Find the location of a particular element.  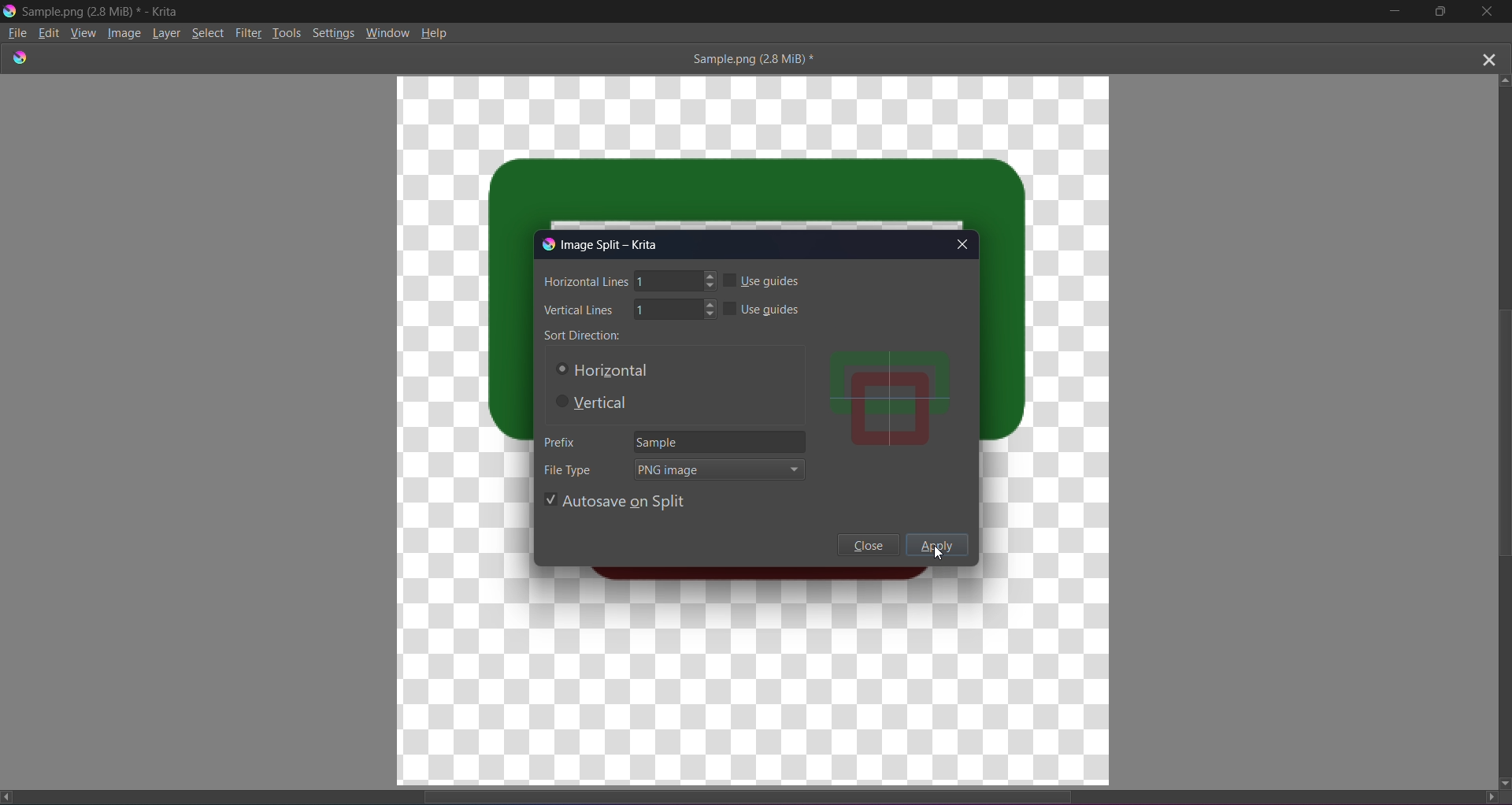

Vertical Scroll bar is located at coordinates (1494, 428).